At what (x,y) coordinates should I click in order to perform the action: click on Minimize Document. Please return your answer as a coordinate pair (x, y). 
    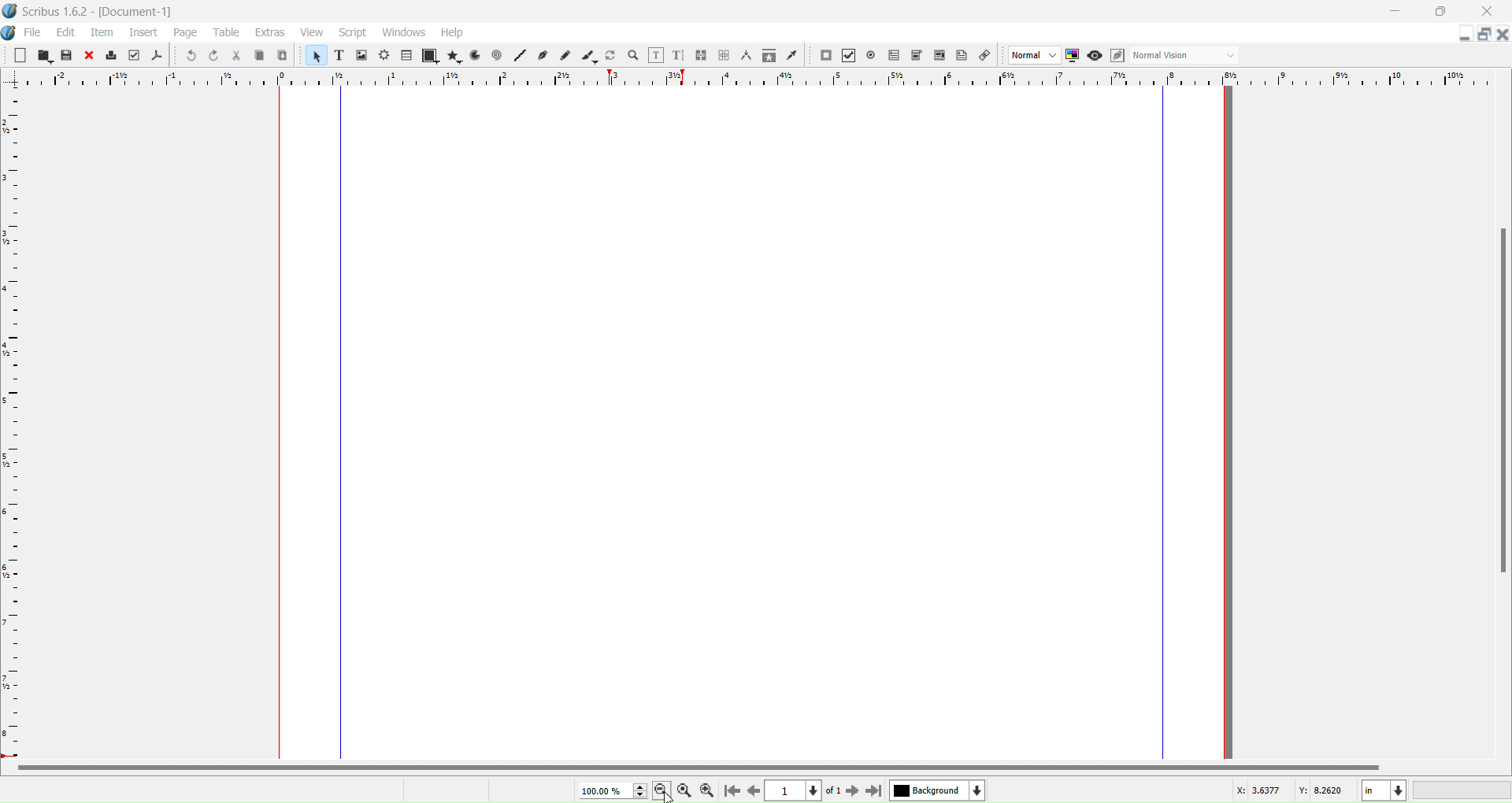
    Looking at the image, I should click on (1462, 35).